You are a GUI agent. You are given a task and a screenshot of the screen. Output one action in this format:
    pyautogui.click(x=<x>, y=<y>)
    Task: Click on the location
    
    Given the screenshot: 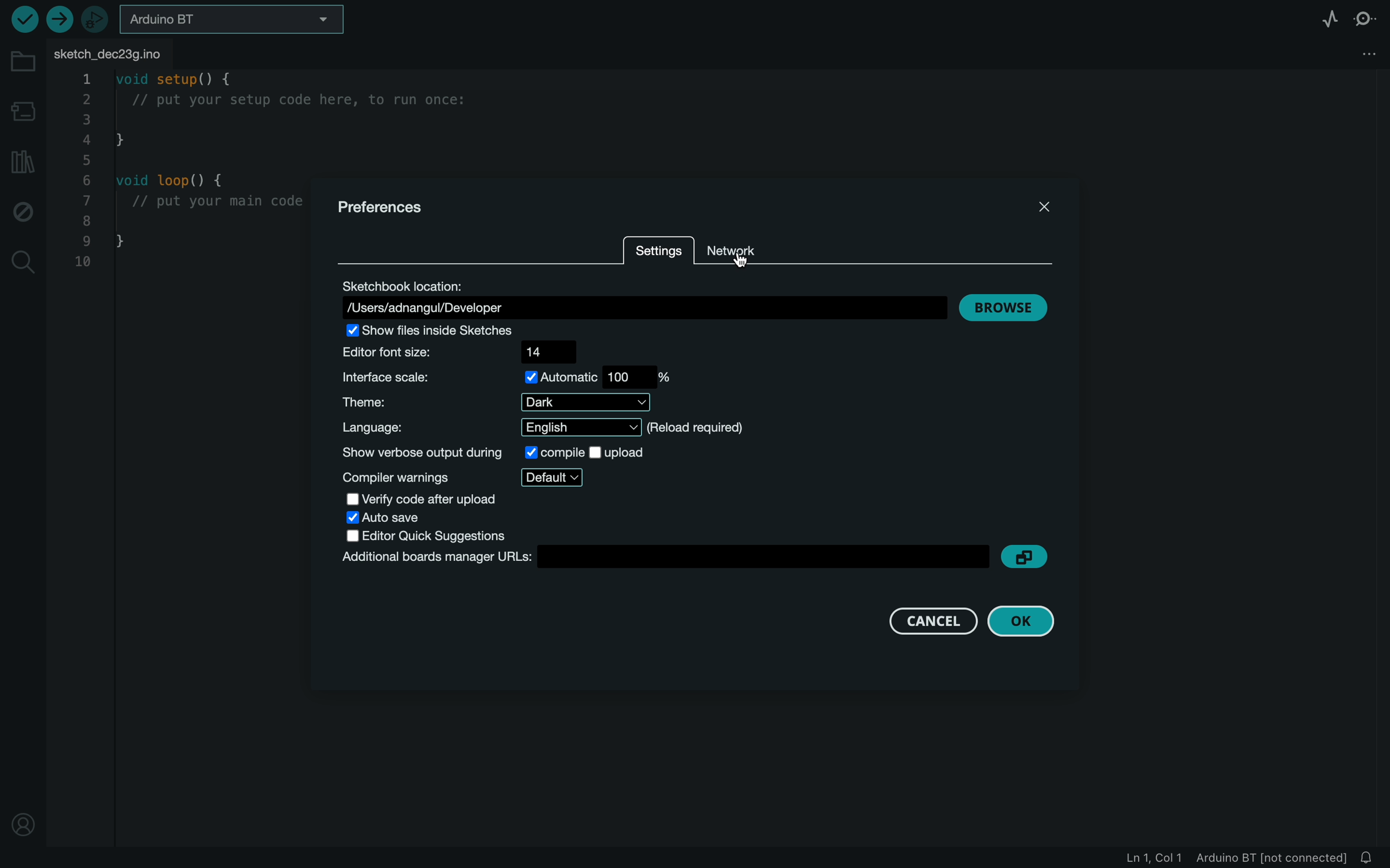 What is the action you would take?
    pyautogui.click(x=642, y=298)
    